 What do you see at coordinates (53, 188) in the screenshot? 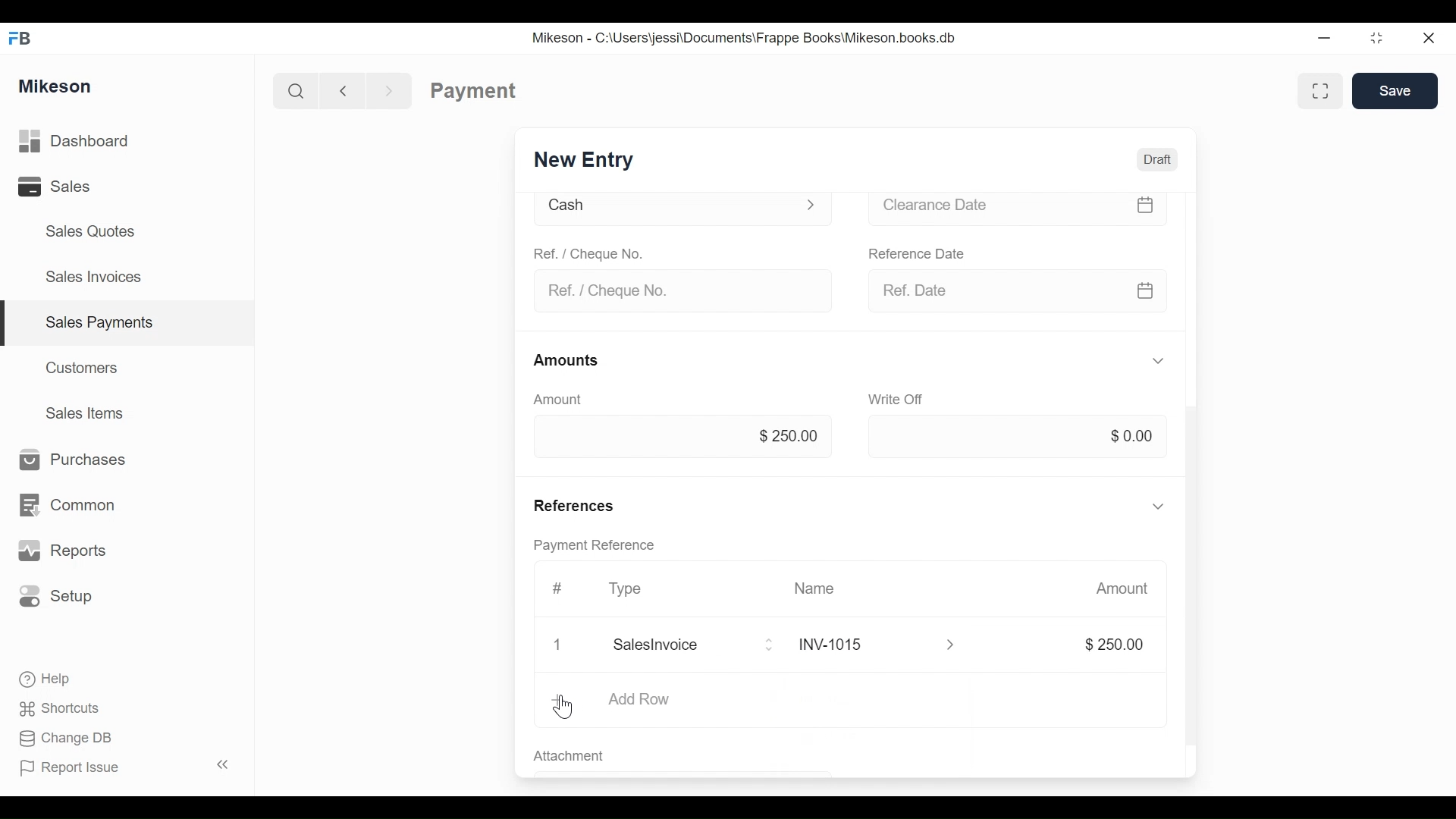
I see `Sales` at bounding box center [53, 188].